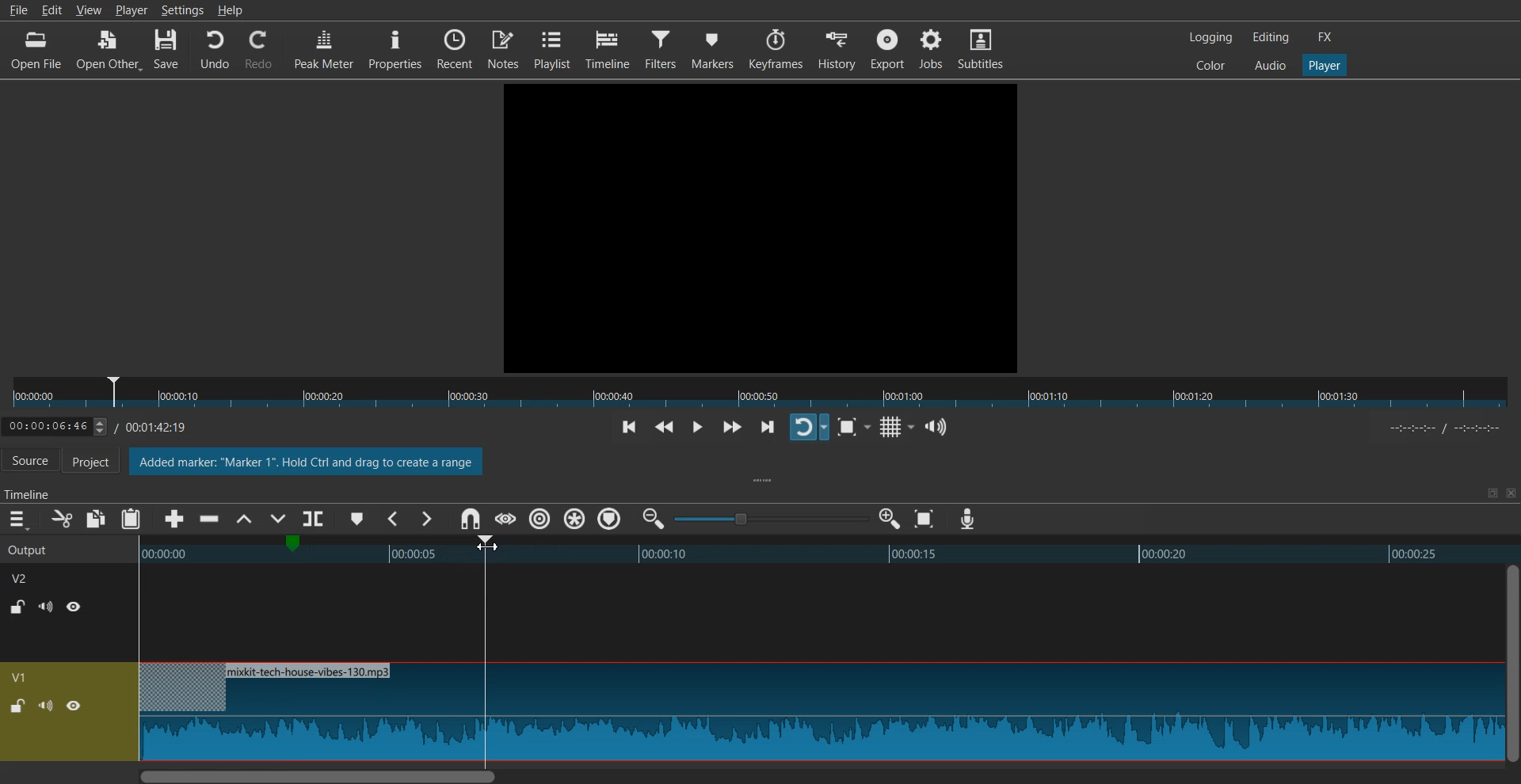  What do you see at coordinates (889, 519) in the screenshot?
I see `Zoom timeline in` at bounding box center [889, 519].